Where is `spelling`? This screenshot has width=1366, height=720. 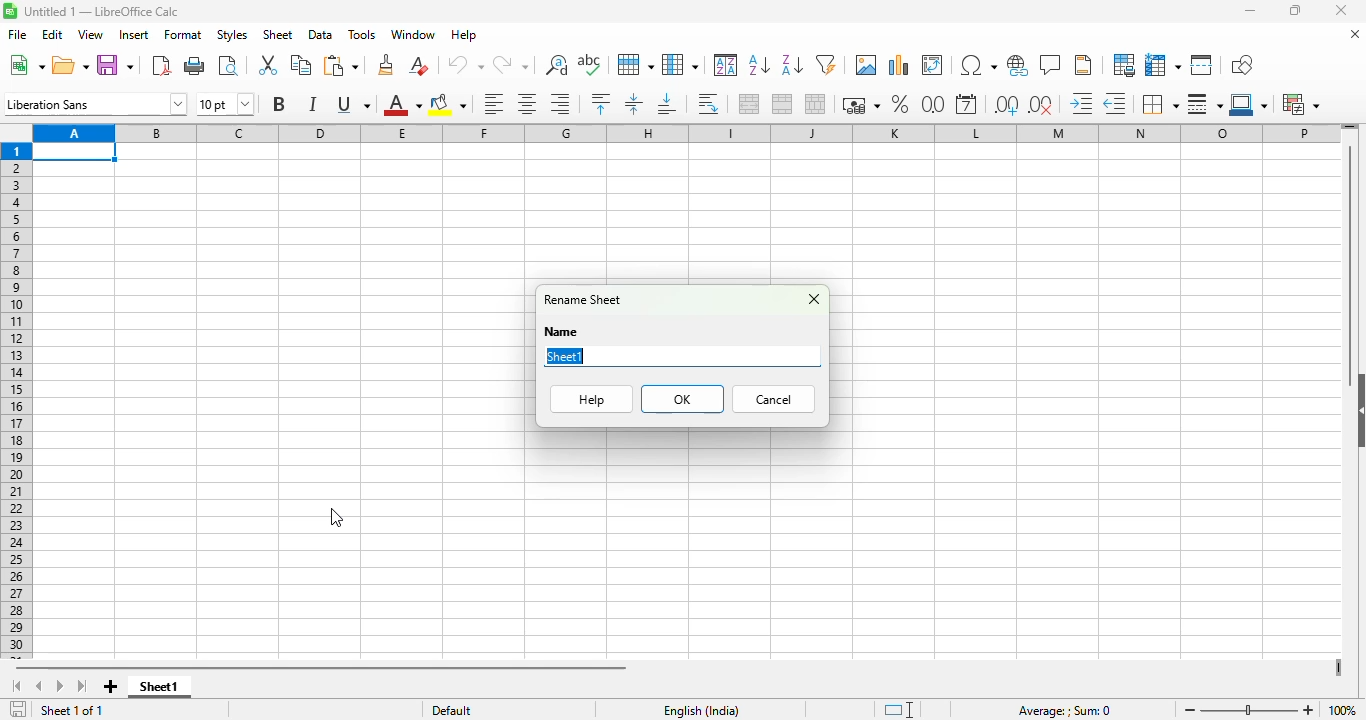
spelling is located at coordinates (589, 64).